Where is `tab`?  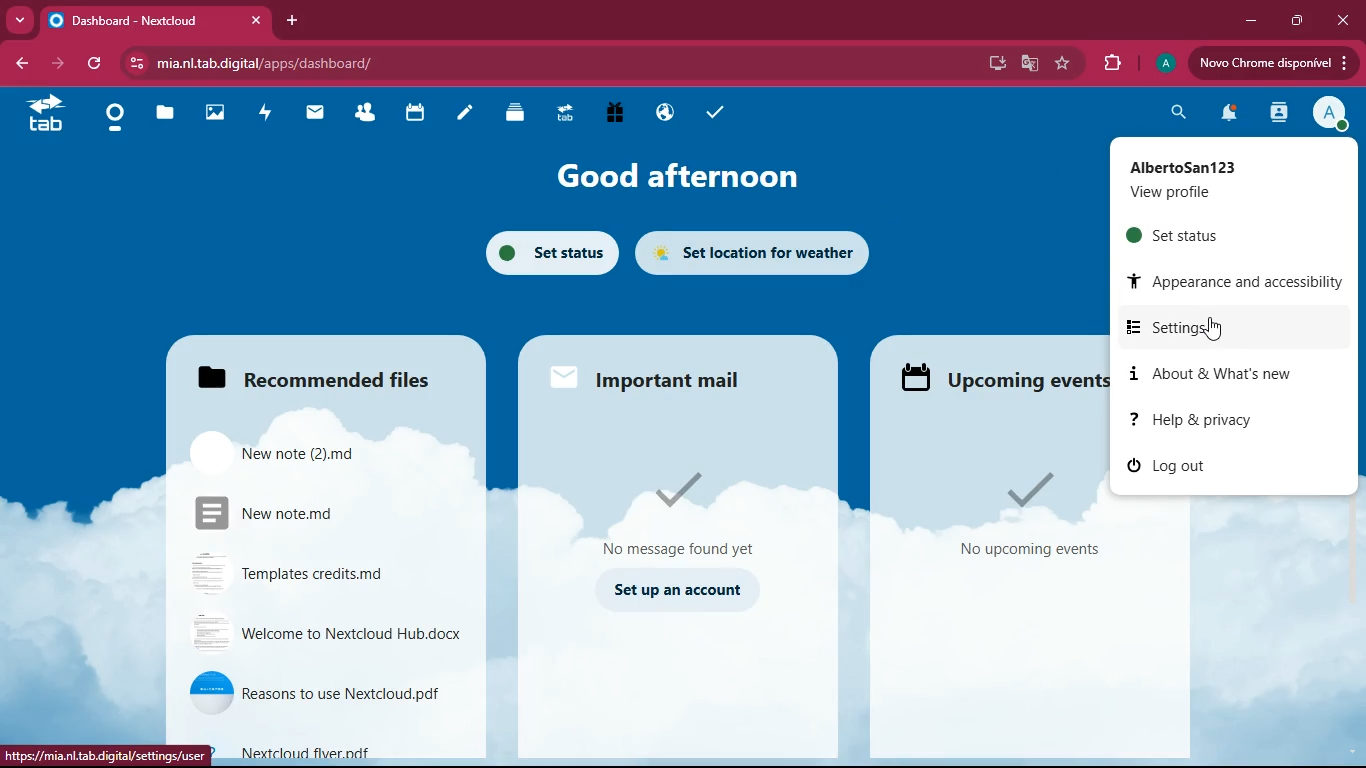
tab is located at coordinates (44, 115).